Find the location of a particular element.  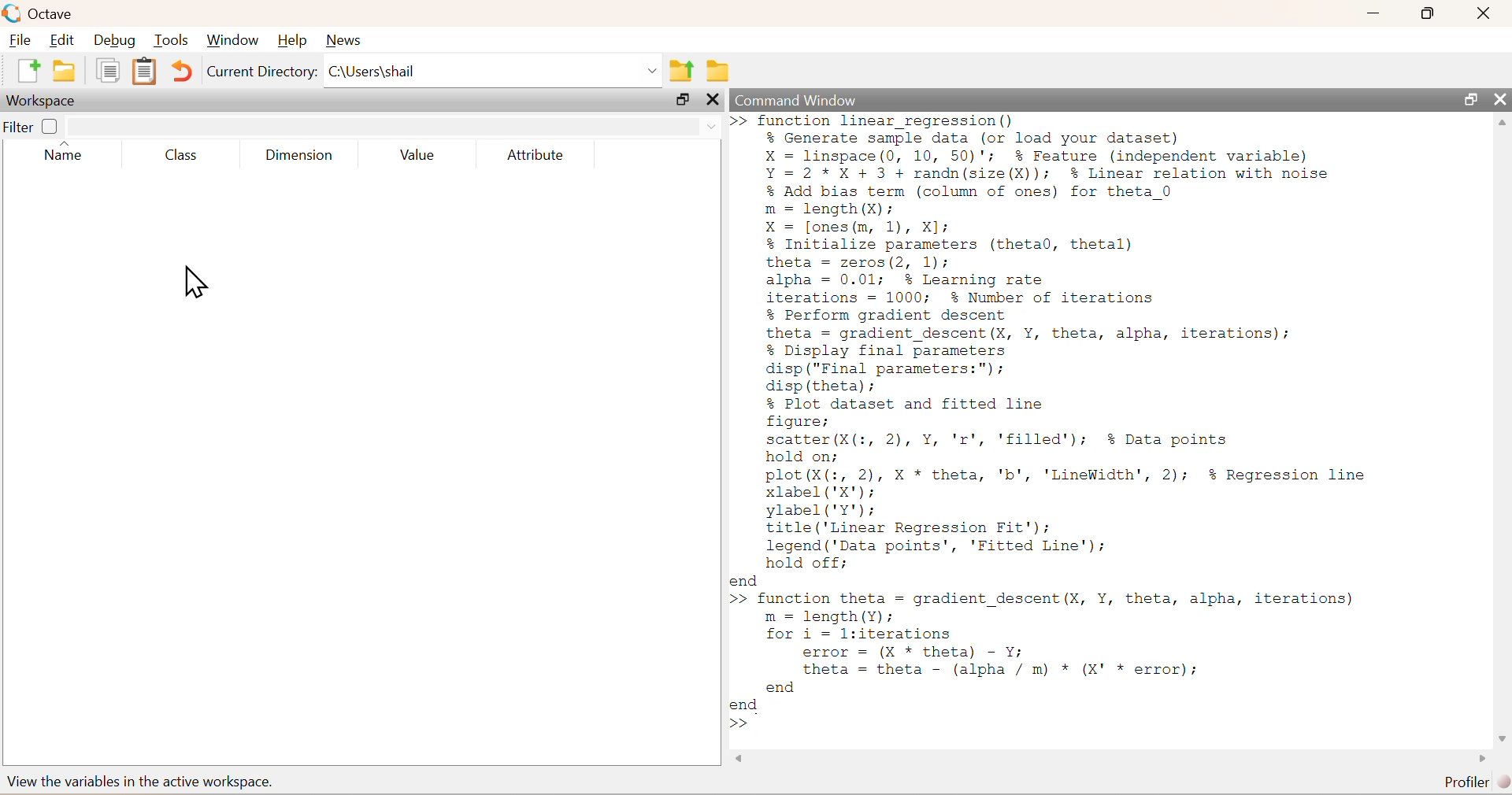

Name is located at coordinates (65, 153).